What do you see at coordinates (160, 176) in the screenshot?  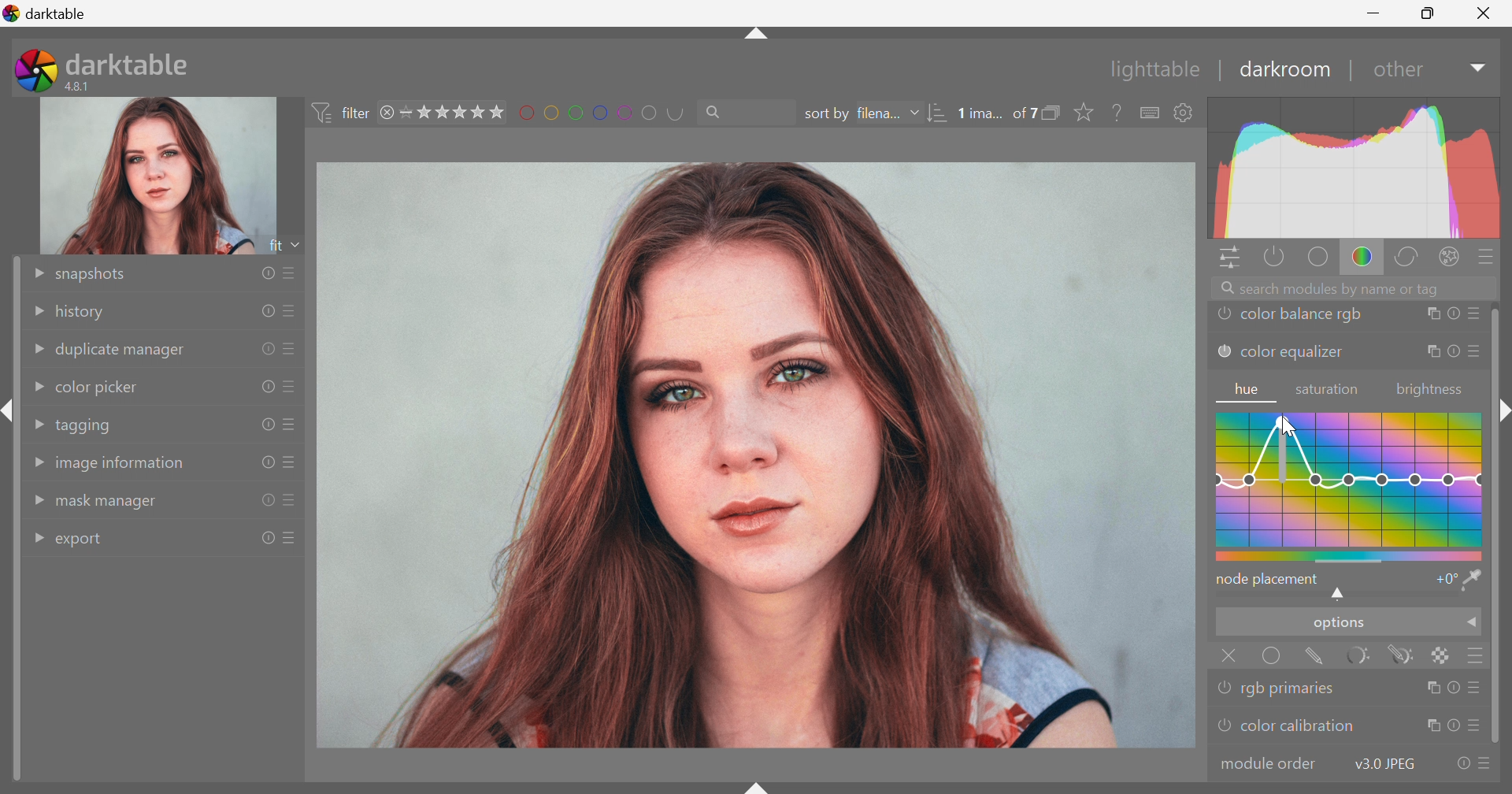 I see `image` at bounding box center [160, 176].